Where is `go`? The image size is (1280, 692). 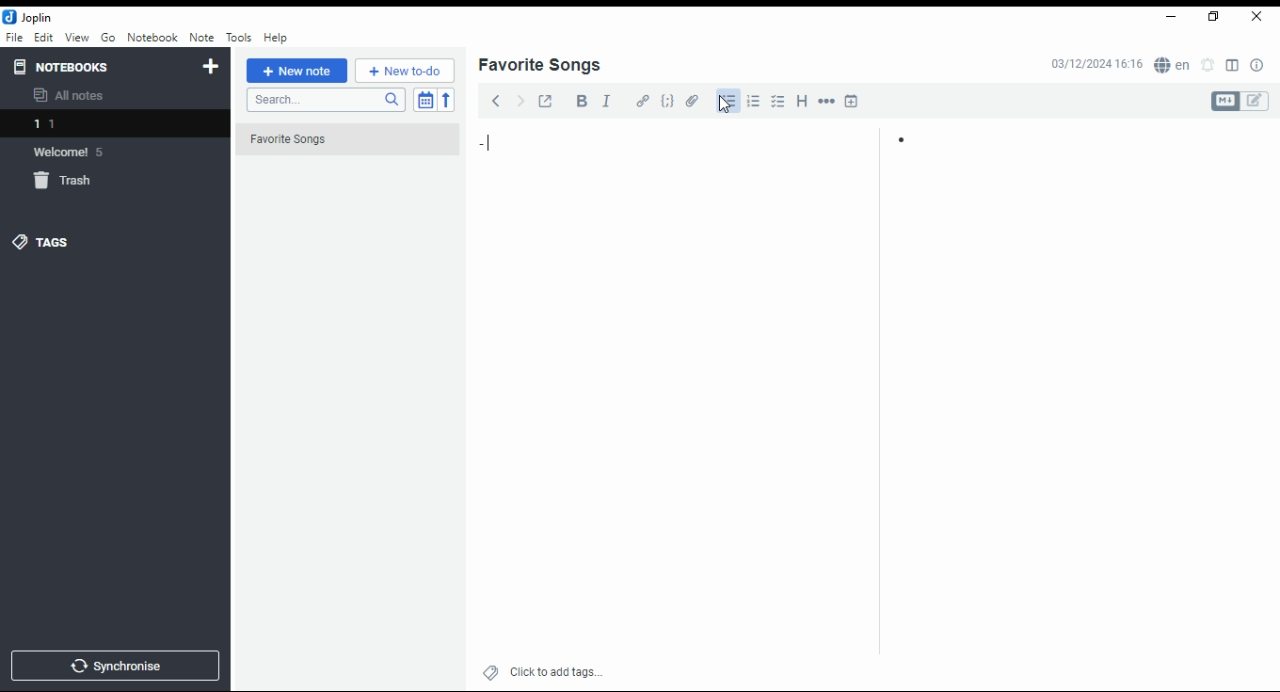
go is located at coordinates (110, 40).